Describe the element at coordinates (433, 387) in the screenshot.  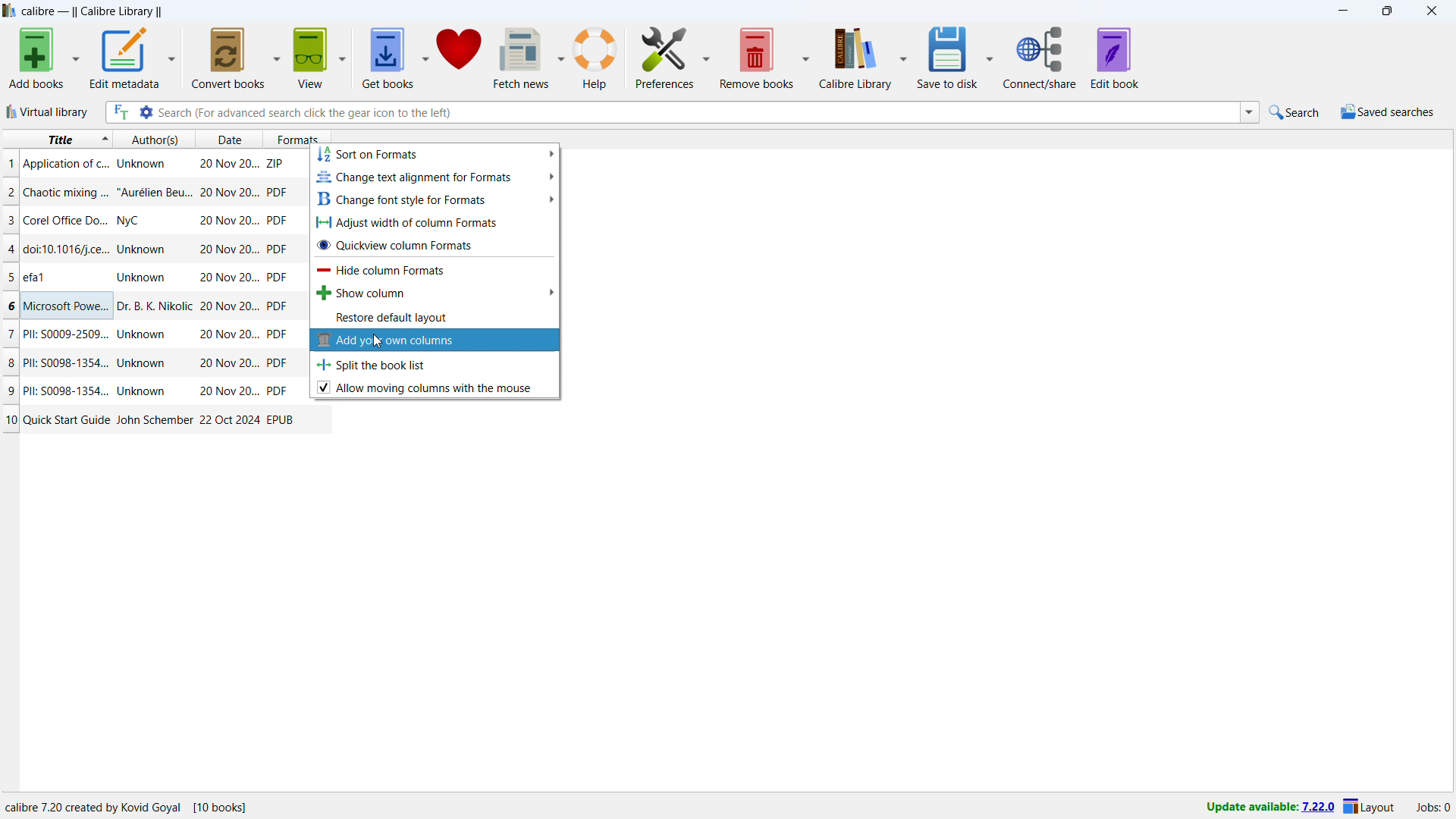
I see `alllow moving collumns with mouse` at that location.